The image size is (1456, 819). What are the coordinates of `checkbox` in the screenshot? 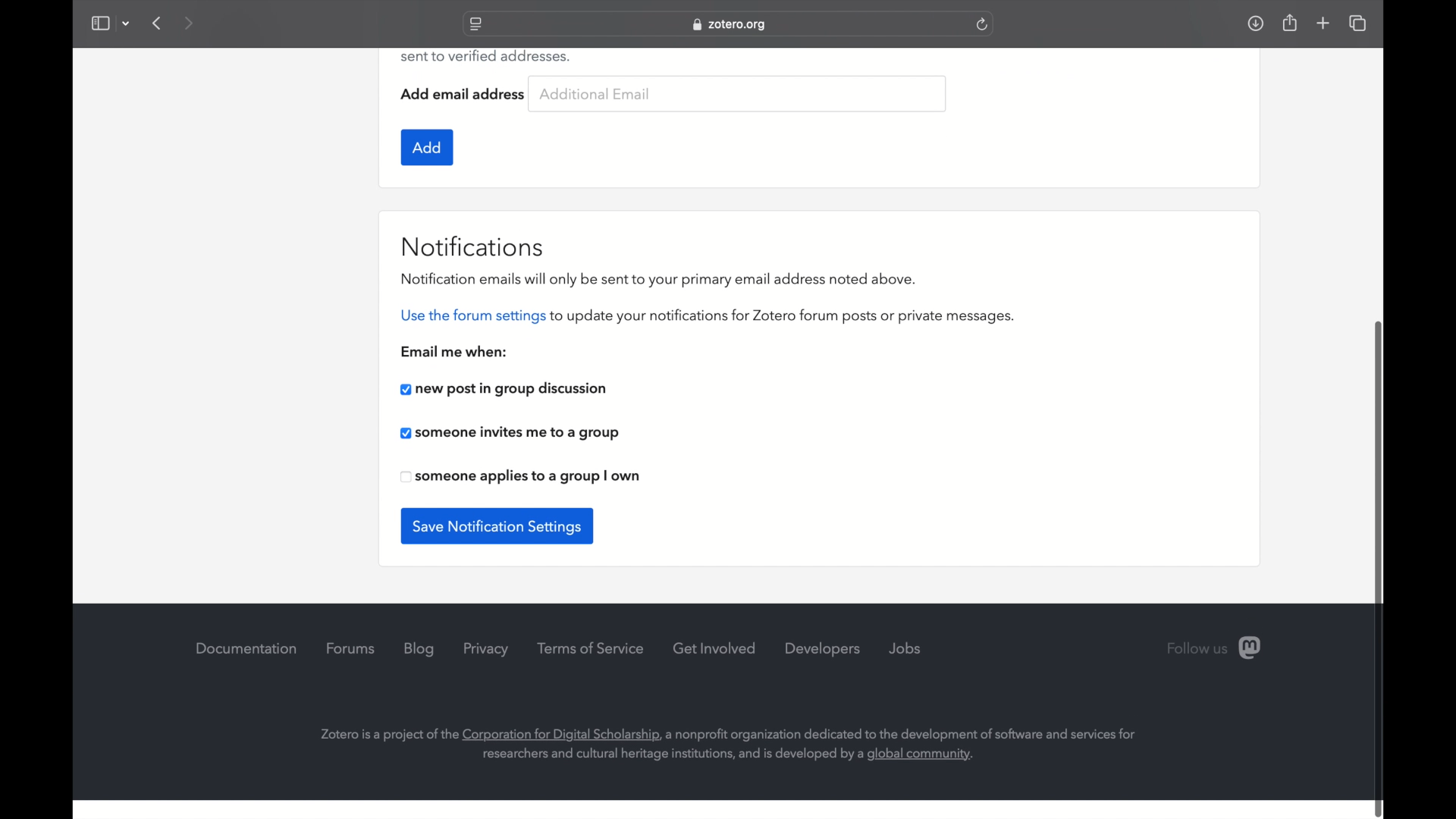 It's located at (504, 391).